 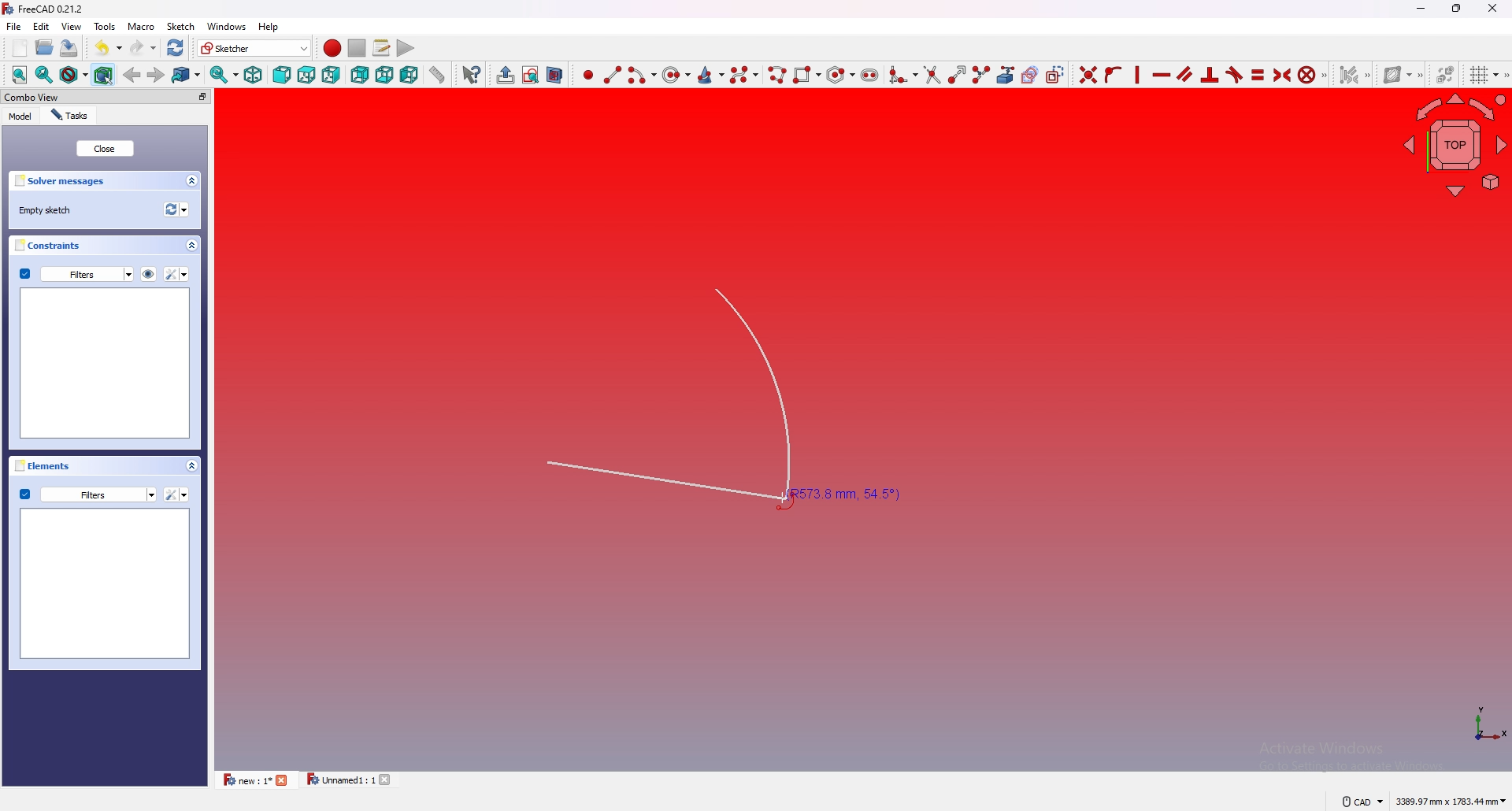 I want to click on constrain equal, so click(x=1258, y=74).